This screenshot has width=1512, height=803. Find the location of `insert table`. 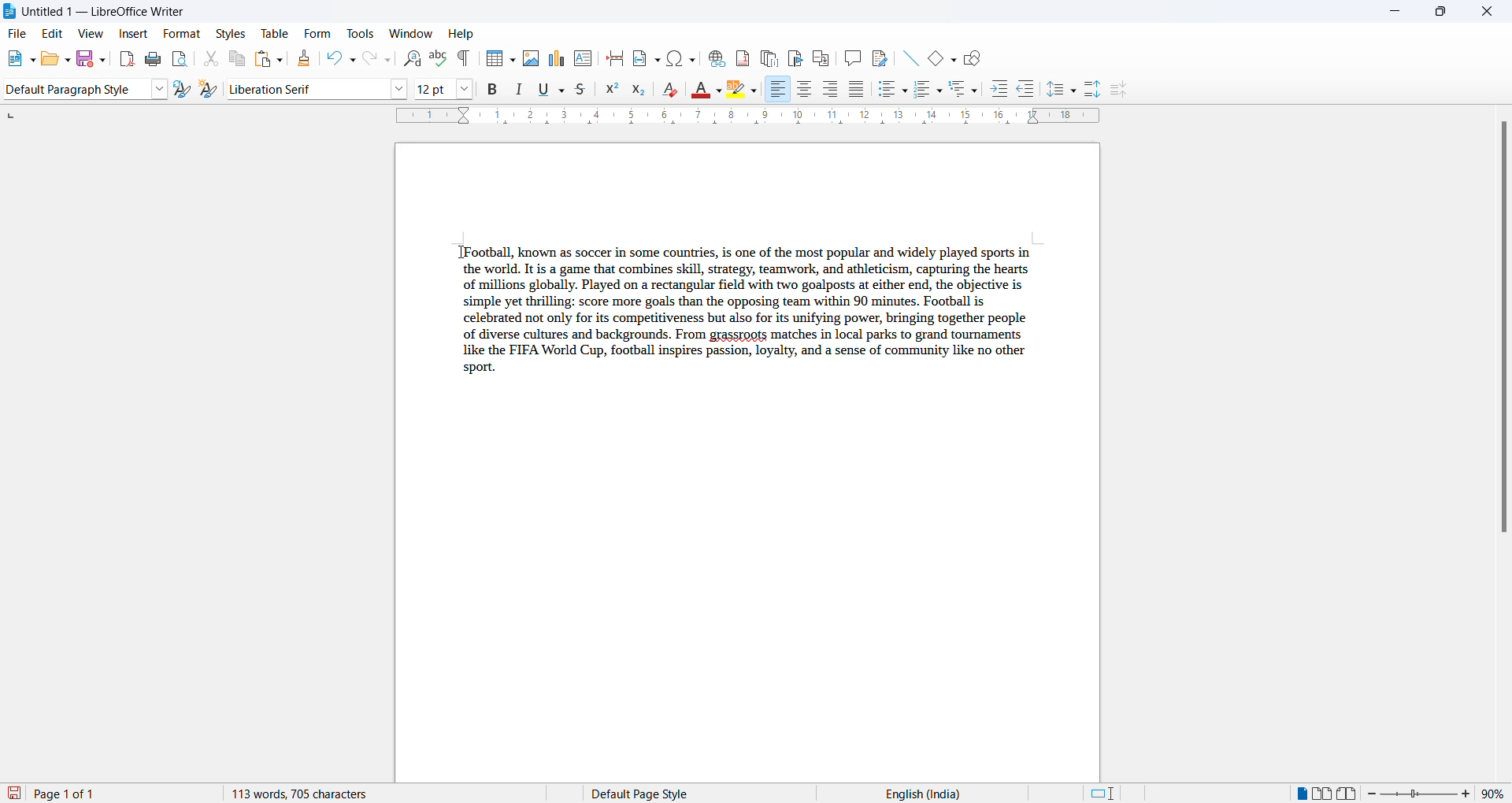

insert table is located at coordinates (493, 58).